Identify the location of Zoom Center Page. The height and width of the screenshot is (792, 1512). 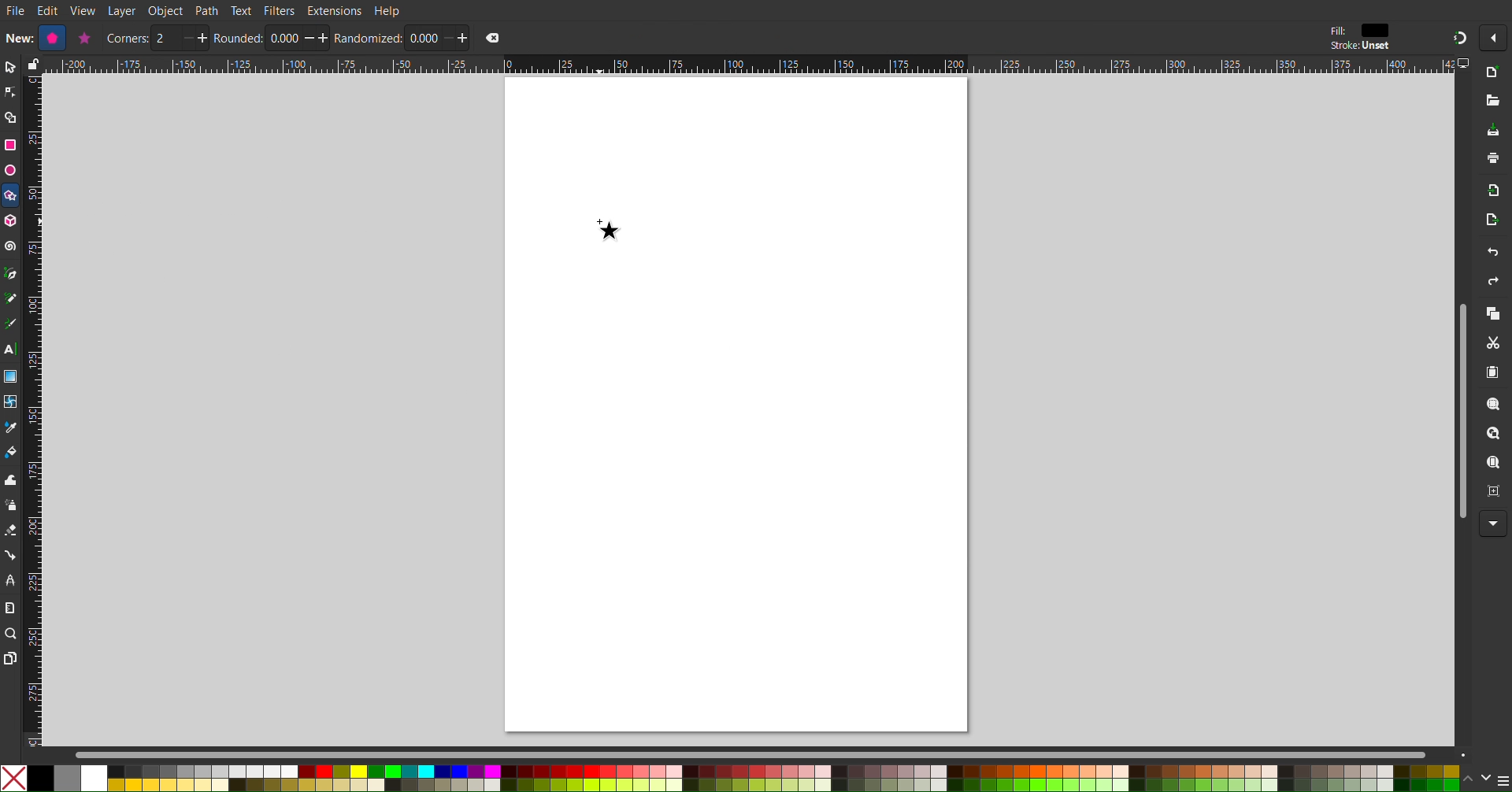
(1495, 495).